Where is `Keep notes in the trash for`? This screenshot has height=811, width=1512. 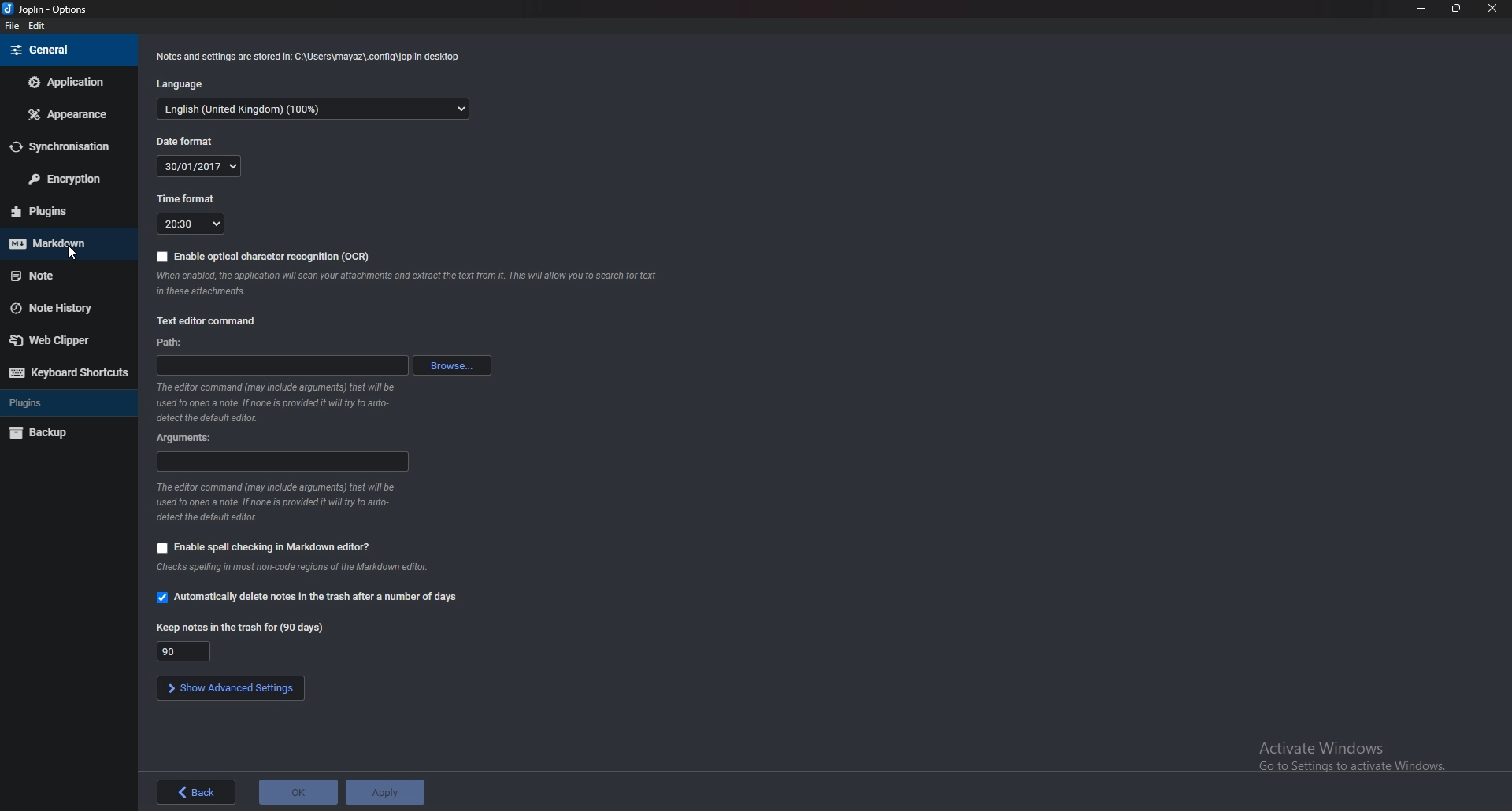
Keep notes in the trash for is located at coordinates (242, 627).